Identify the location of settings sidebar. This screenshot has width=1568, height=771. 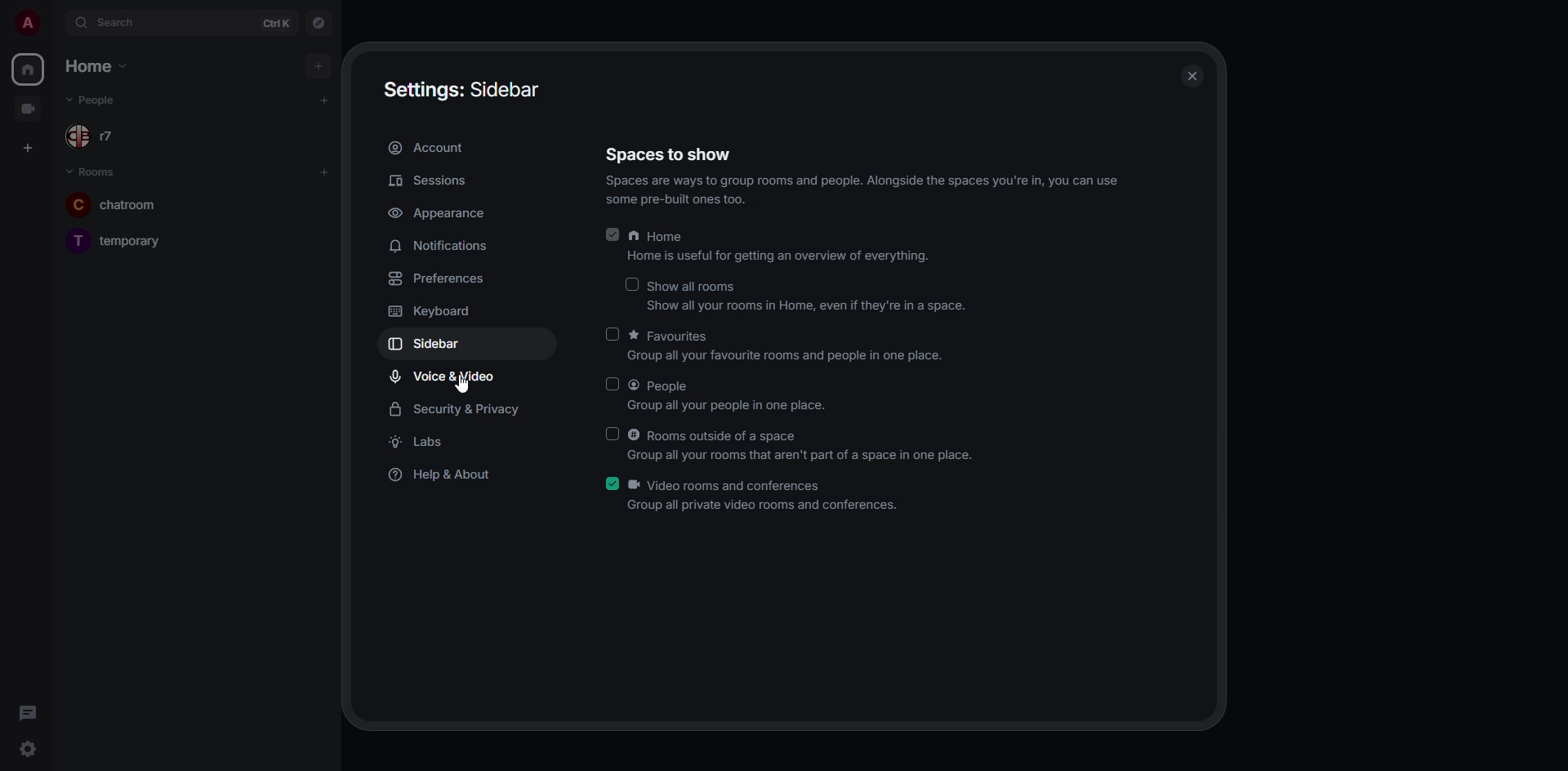
(469, 91).